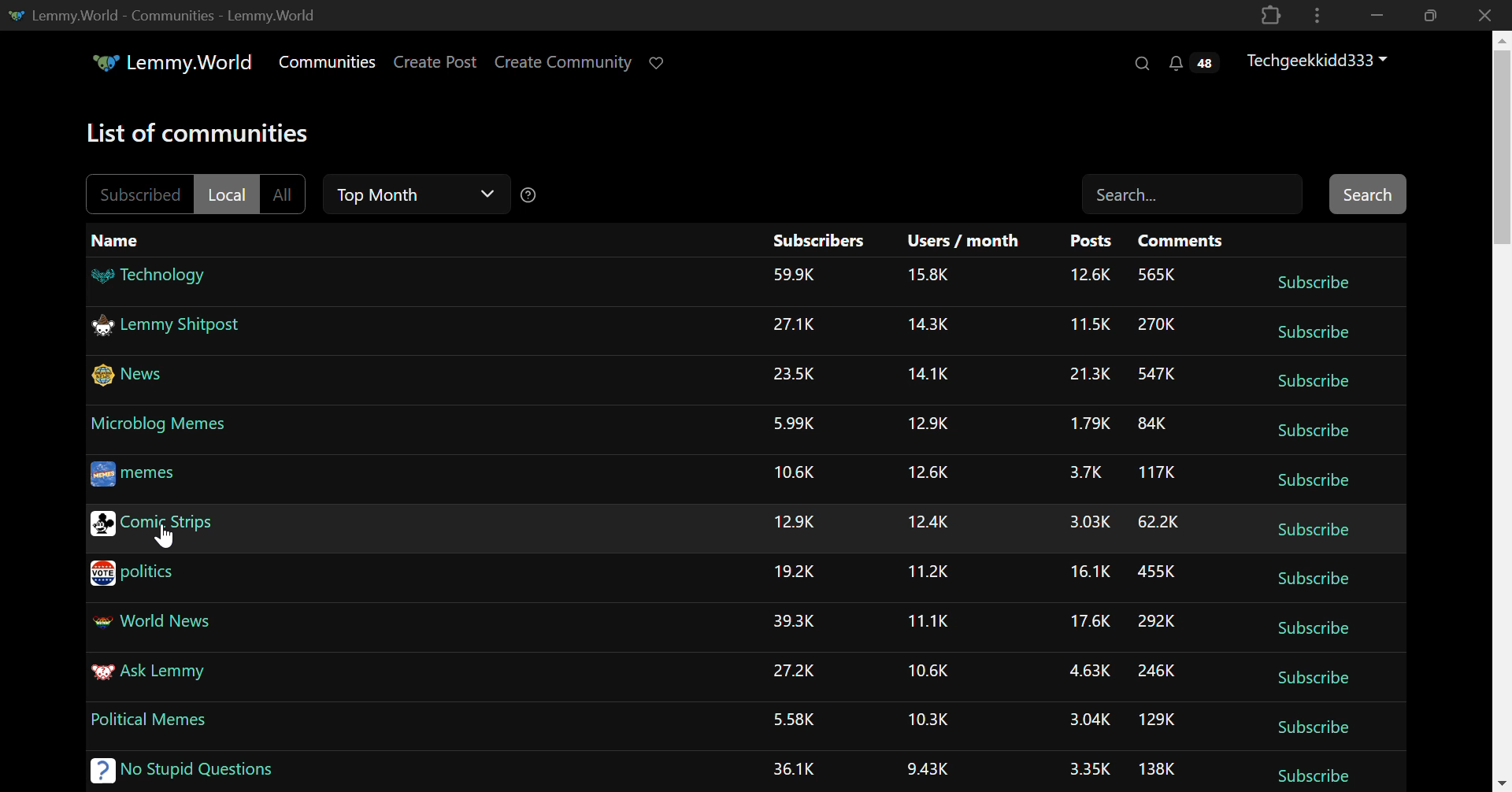 The height and width of the screenshot is (792, 1512). I want to click on 62.2K, so click(1161, 522).